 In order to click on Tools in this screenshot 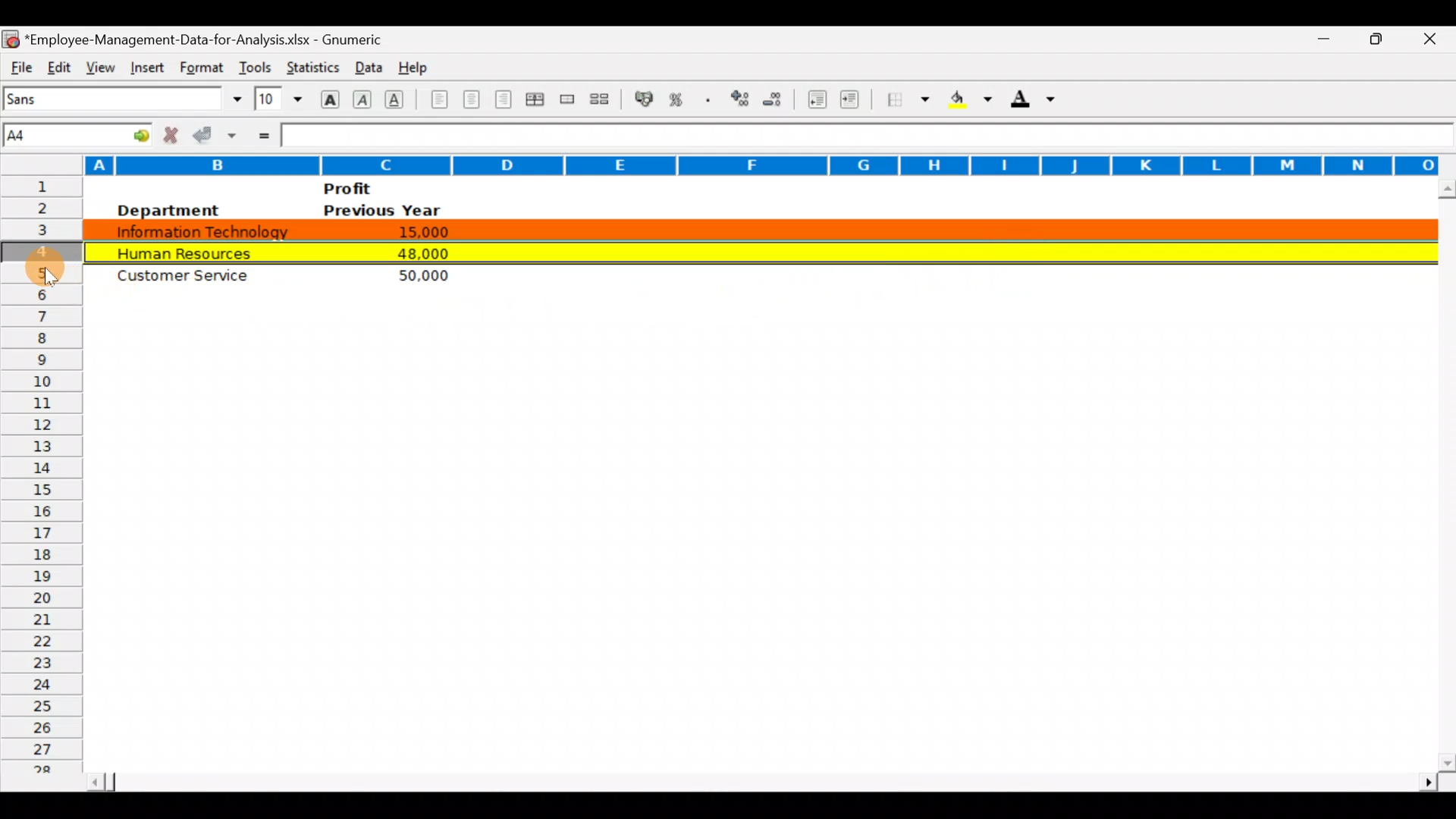, I will do `click(255, 64)`.